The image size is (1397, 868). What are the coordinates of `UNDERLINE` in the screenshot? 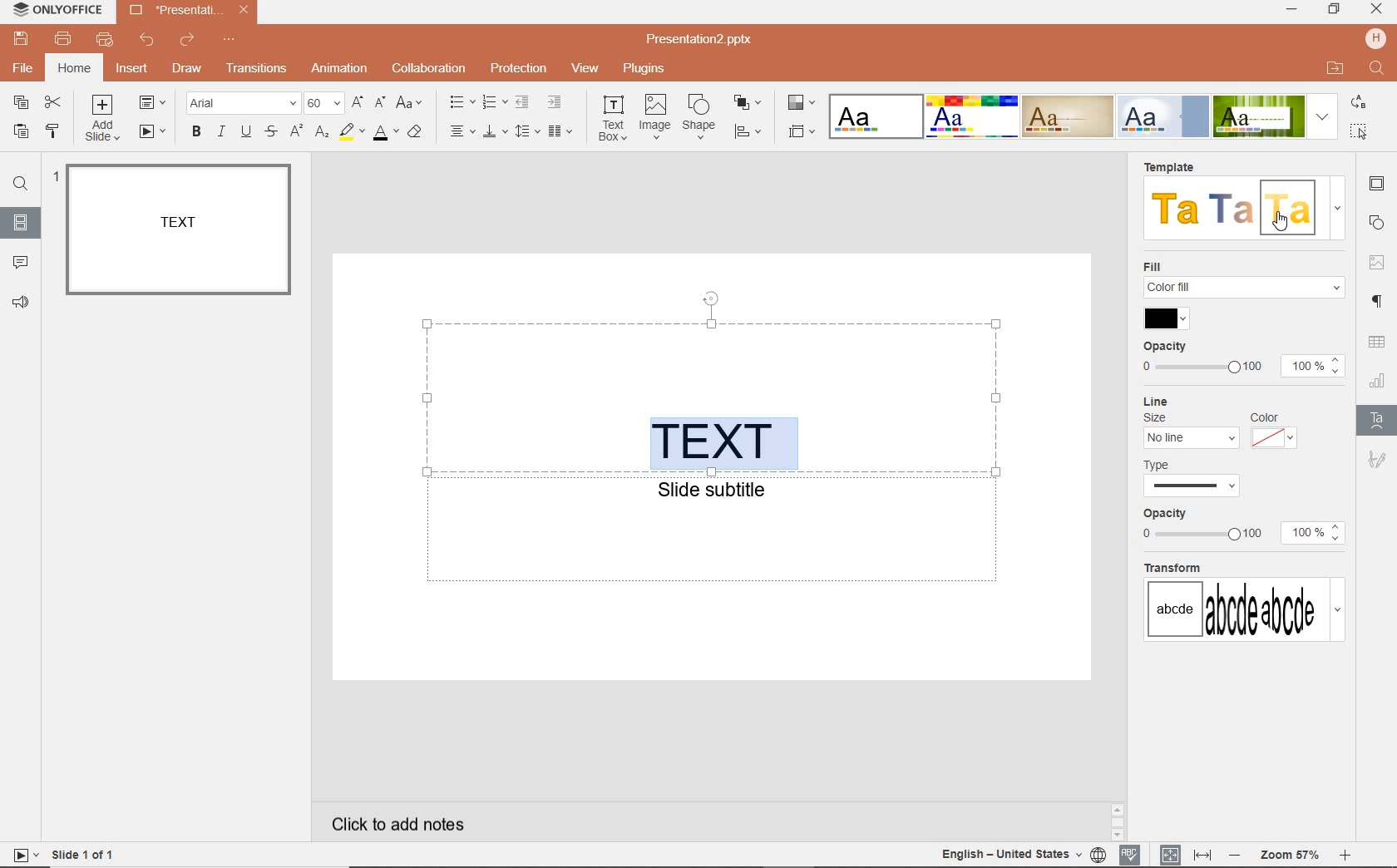 It's located at (246, 131).